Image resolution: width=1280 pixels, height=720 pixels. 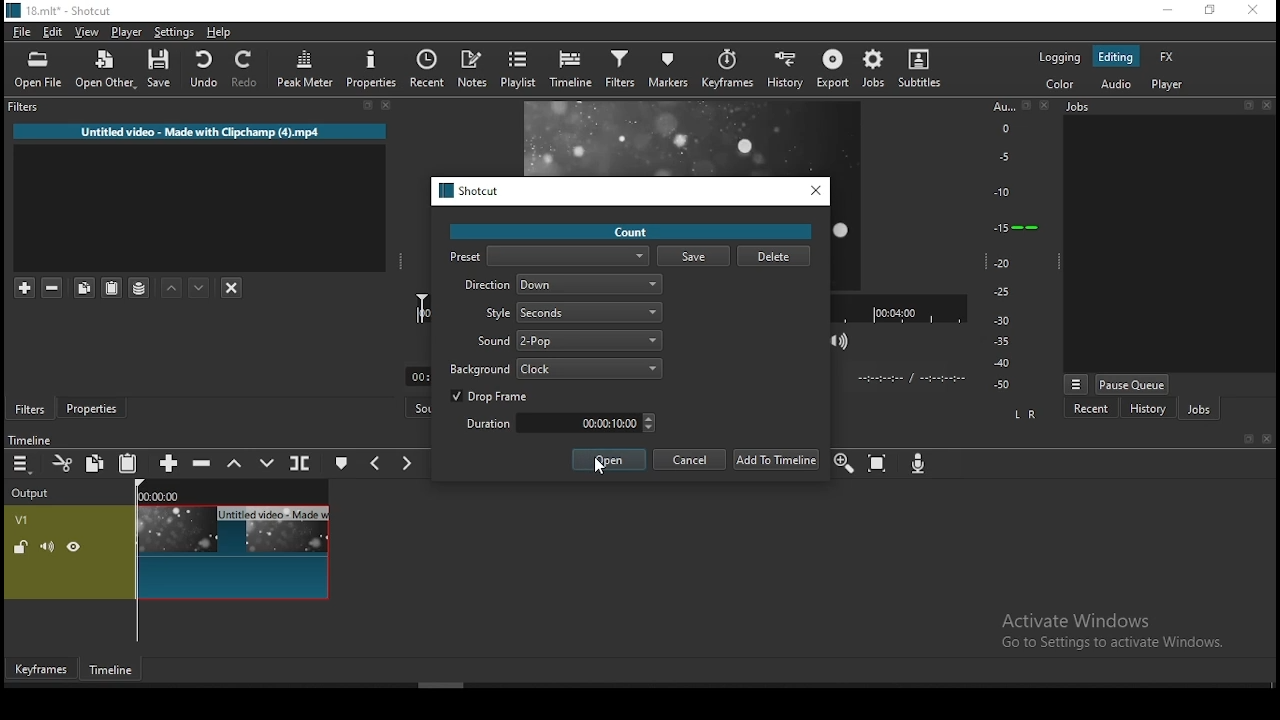 I want to click on menu, so click(x=23, y=464).